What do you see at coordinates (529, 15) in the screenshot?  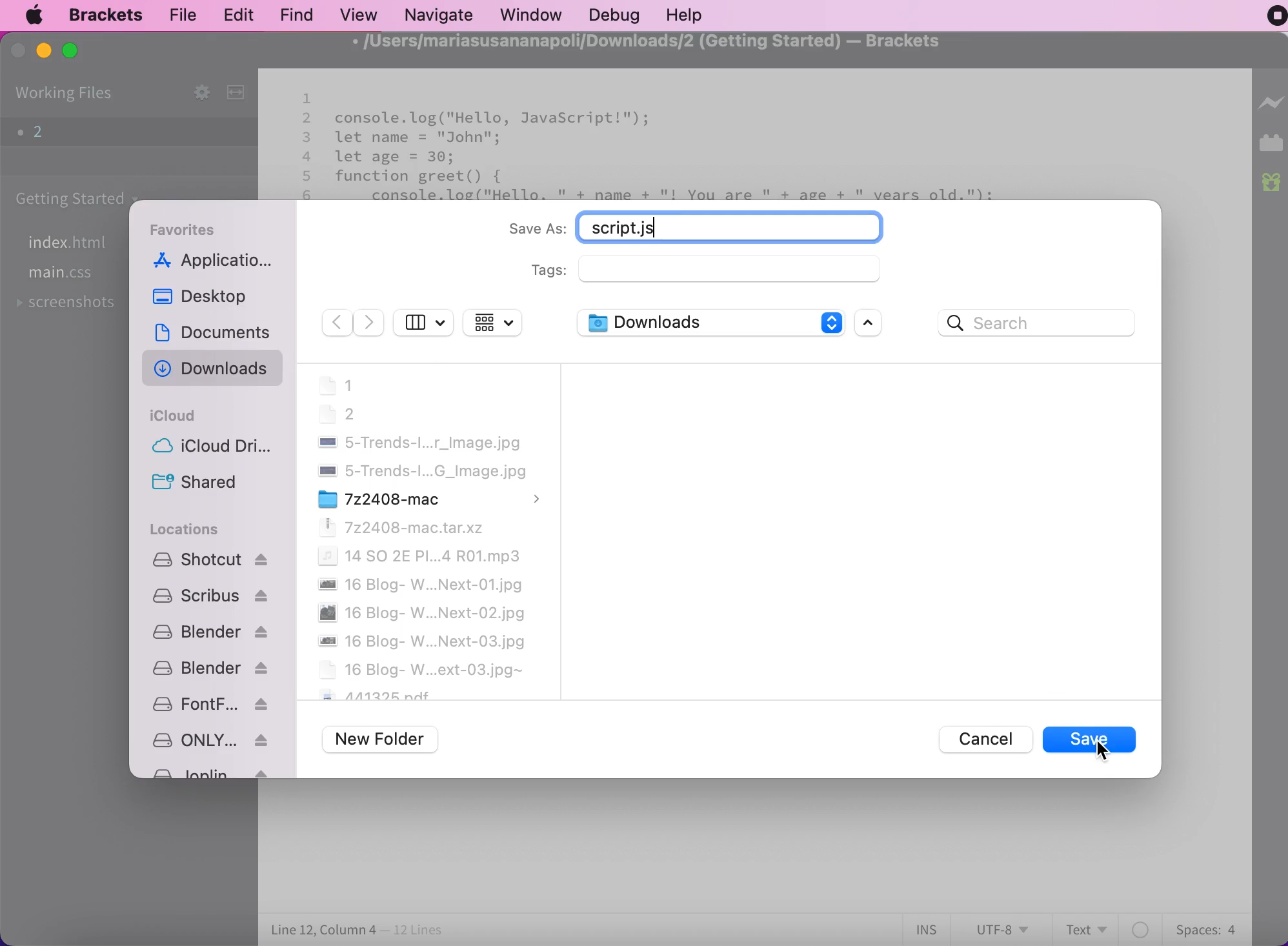 I see `window` at bounding box center [529, 15].